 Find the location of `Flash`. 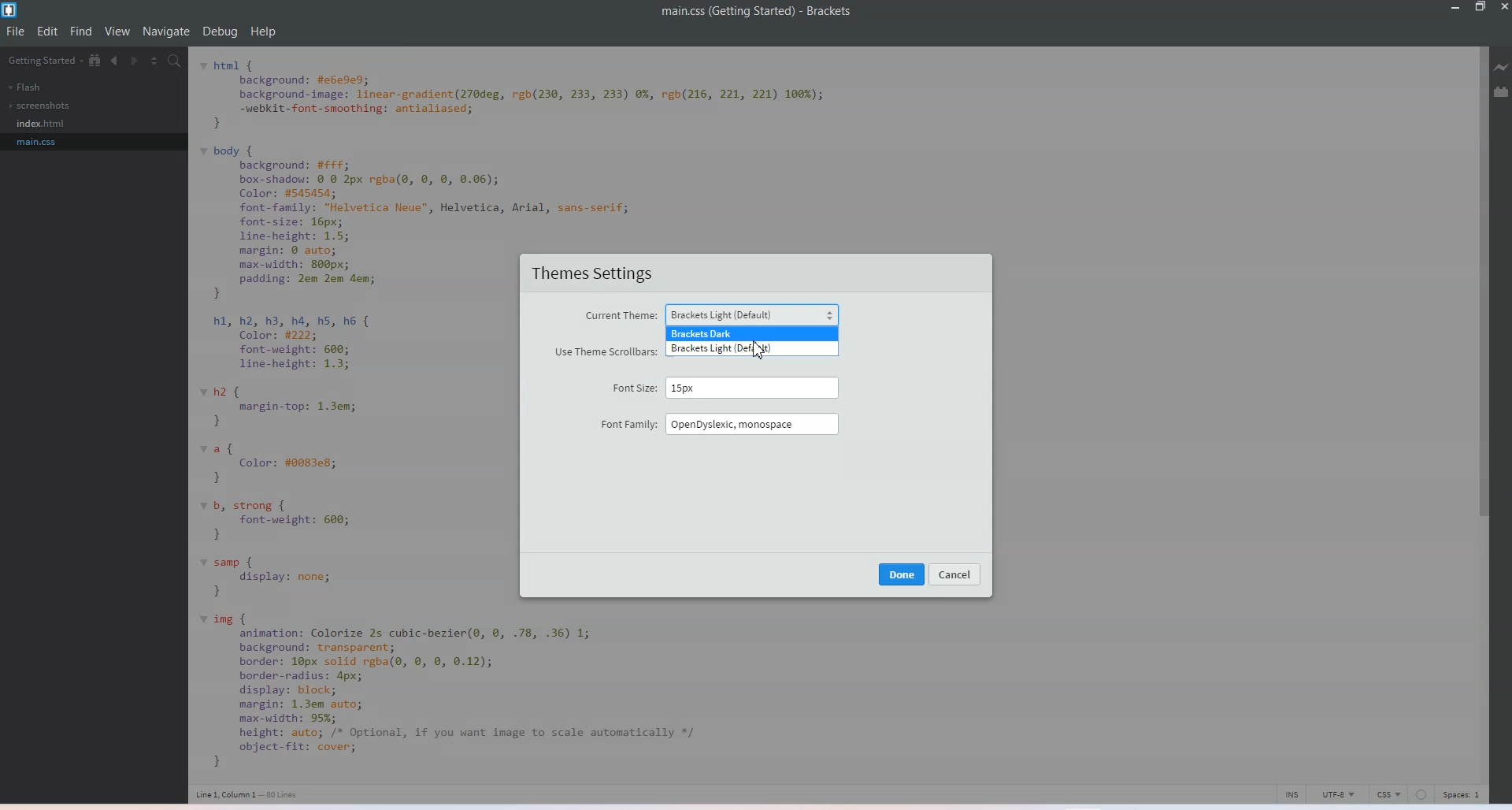

Flash is located at coordinates (25, 87).